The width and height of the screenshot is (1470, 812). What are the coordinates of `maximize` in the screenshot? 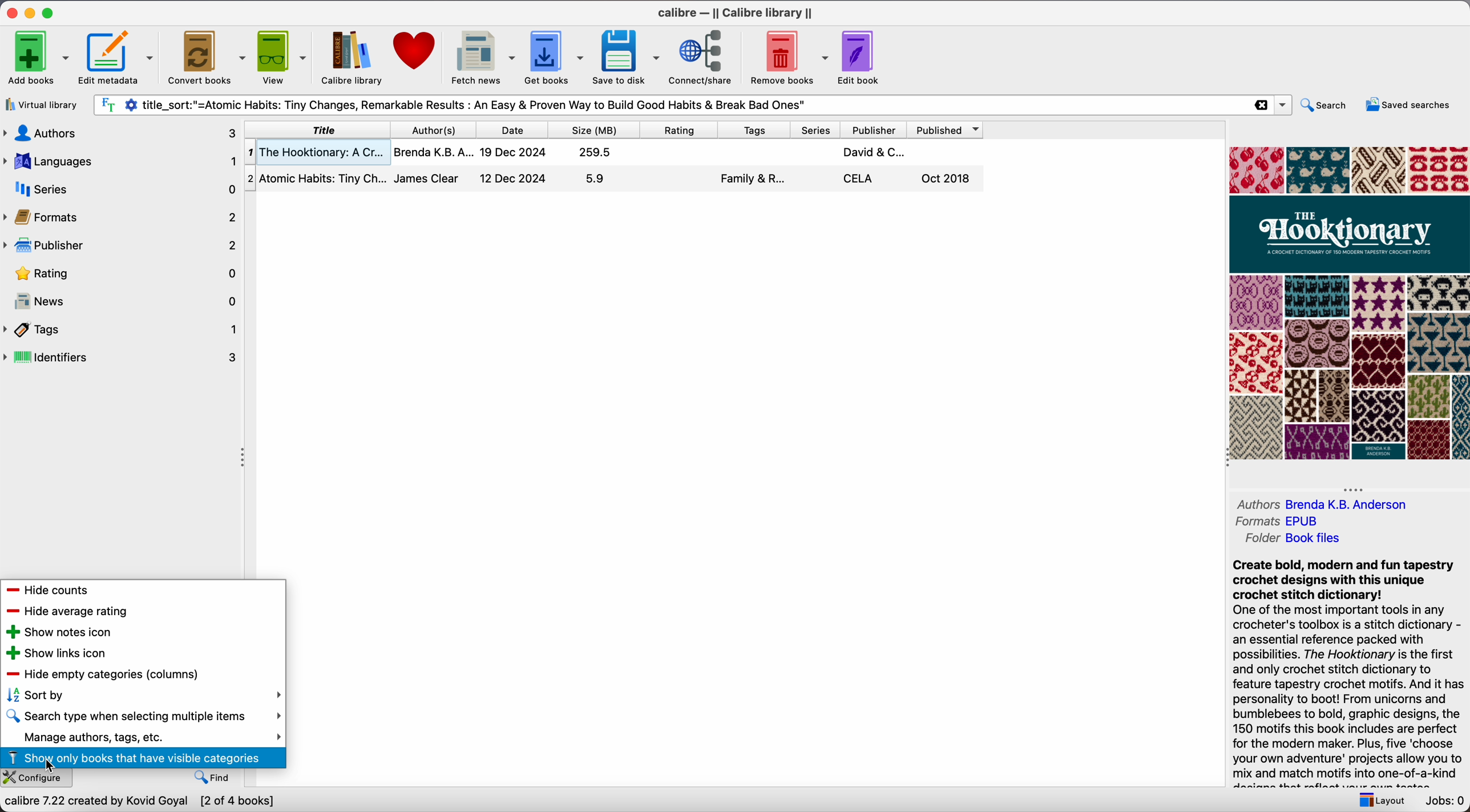 It's located at (50, 12).